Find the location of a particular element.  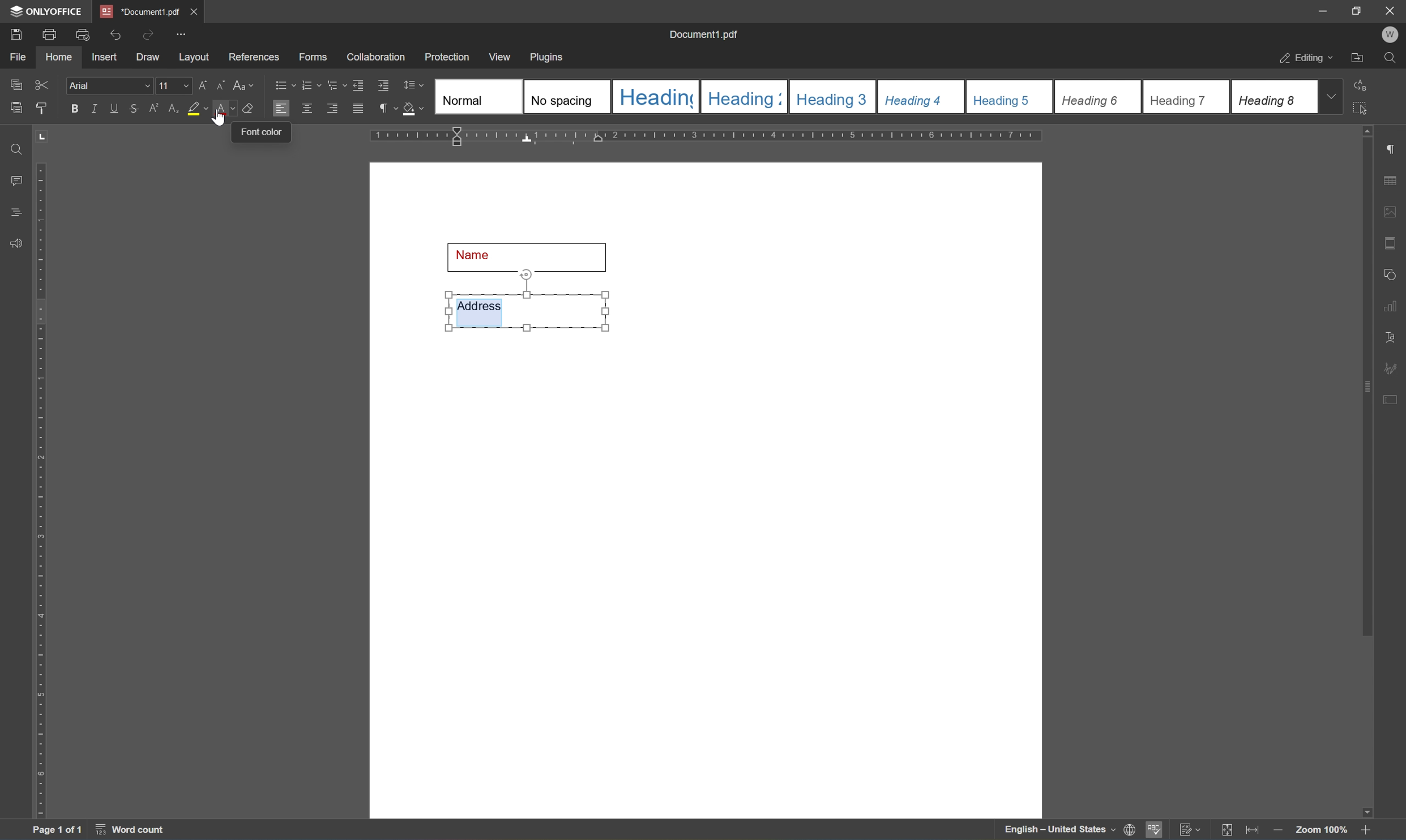

decrement font size is located at coordinates (222, 85).